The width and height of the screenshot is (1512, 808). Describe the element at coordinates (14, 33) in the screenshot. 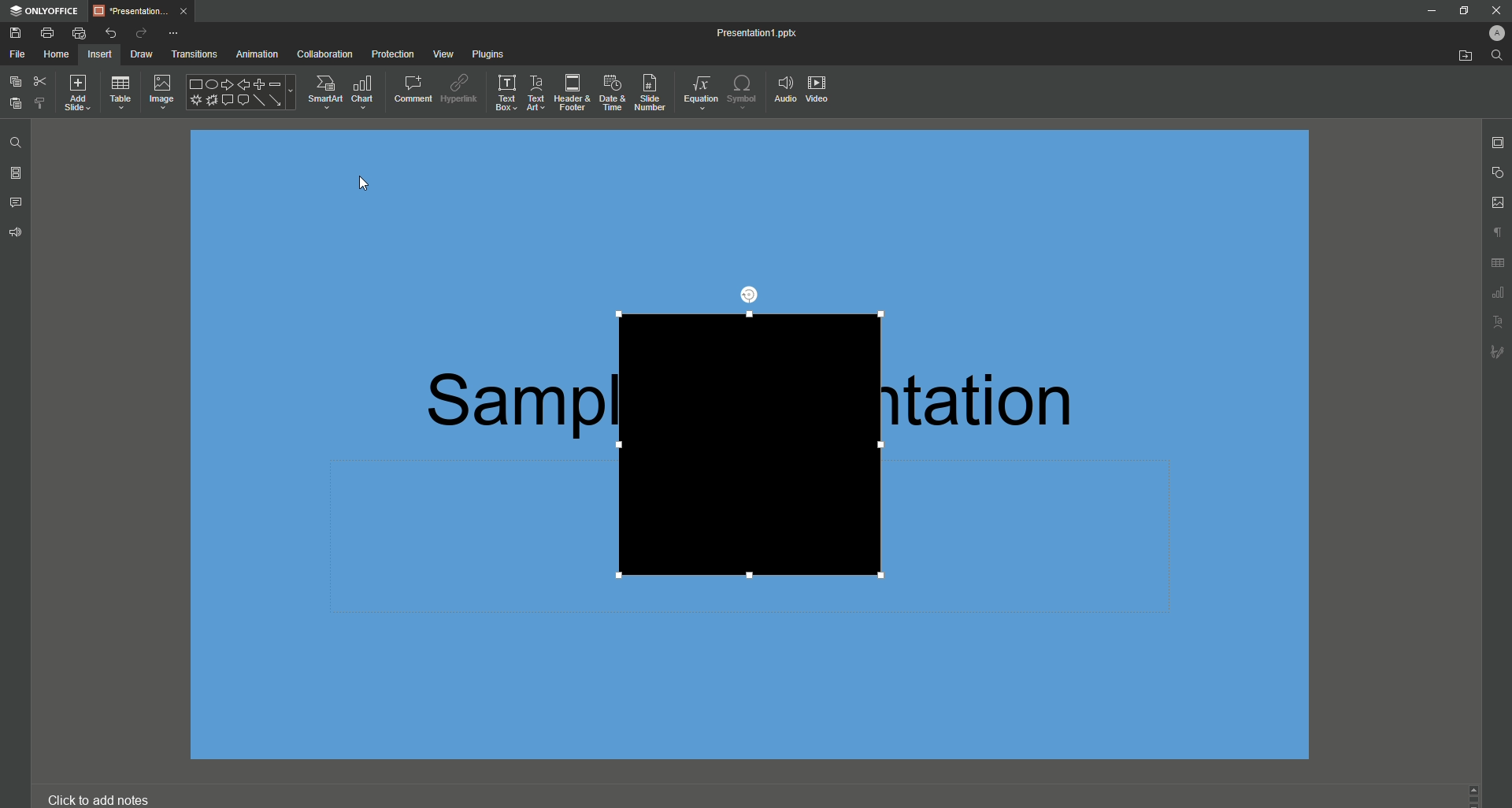

I see `Save` at that location.